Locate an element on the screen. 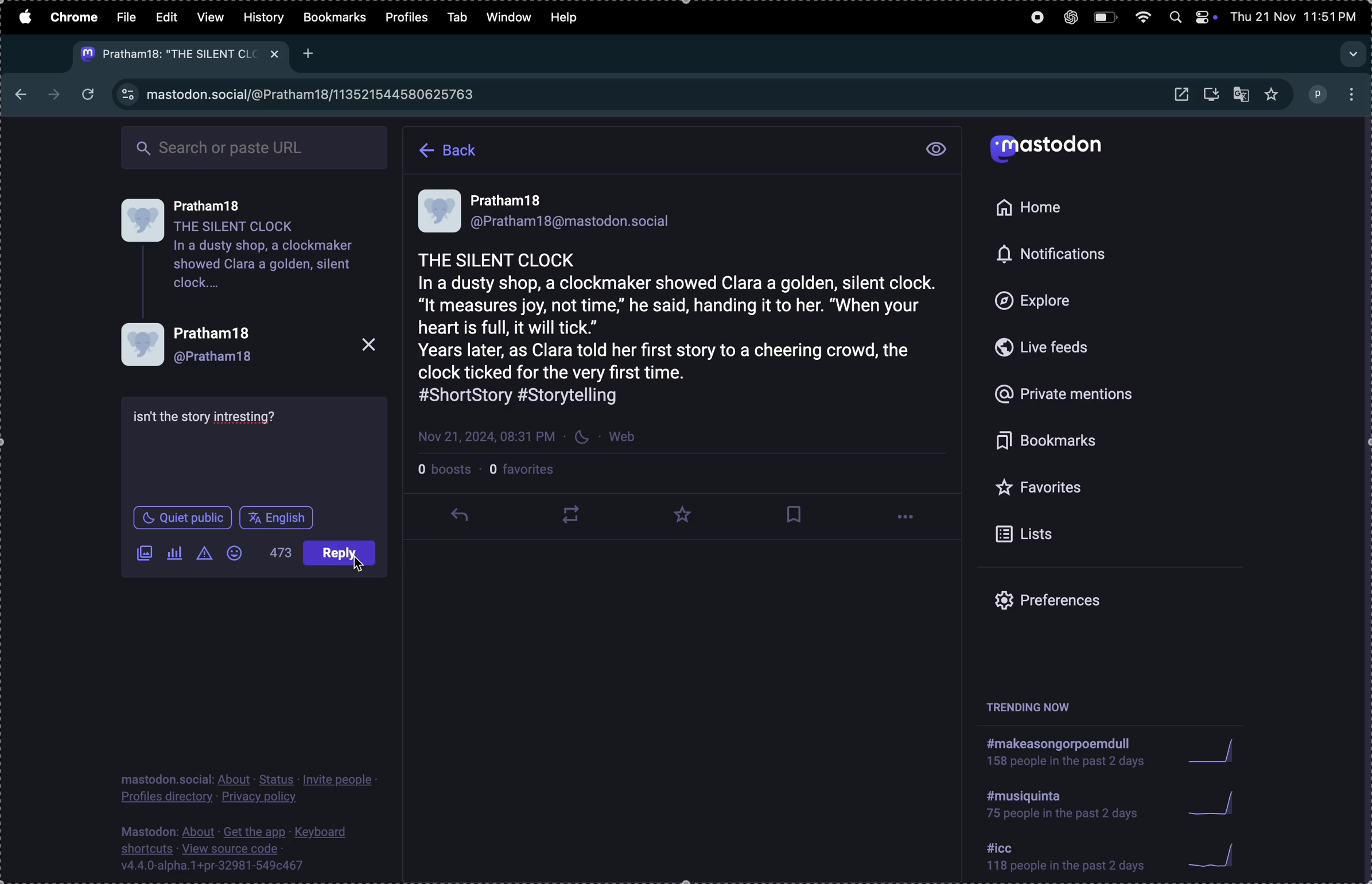 The height and width of the screenshot is (884, 1372). cursor is located at coordinates (467, 528).